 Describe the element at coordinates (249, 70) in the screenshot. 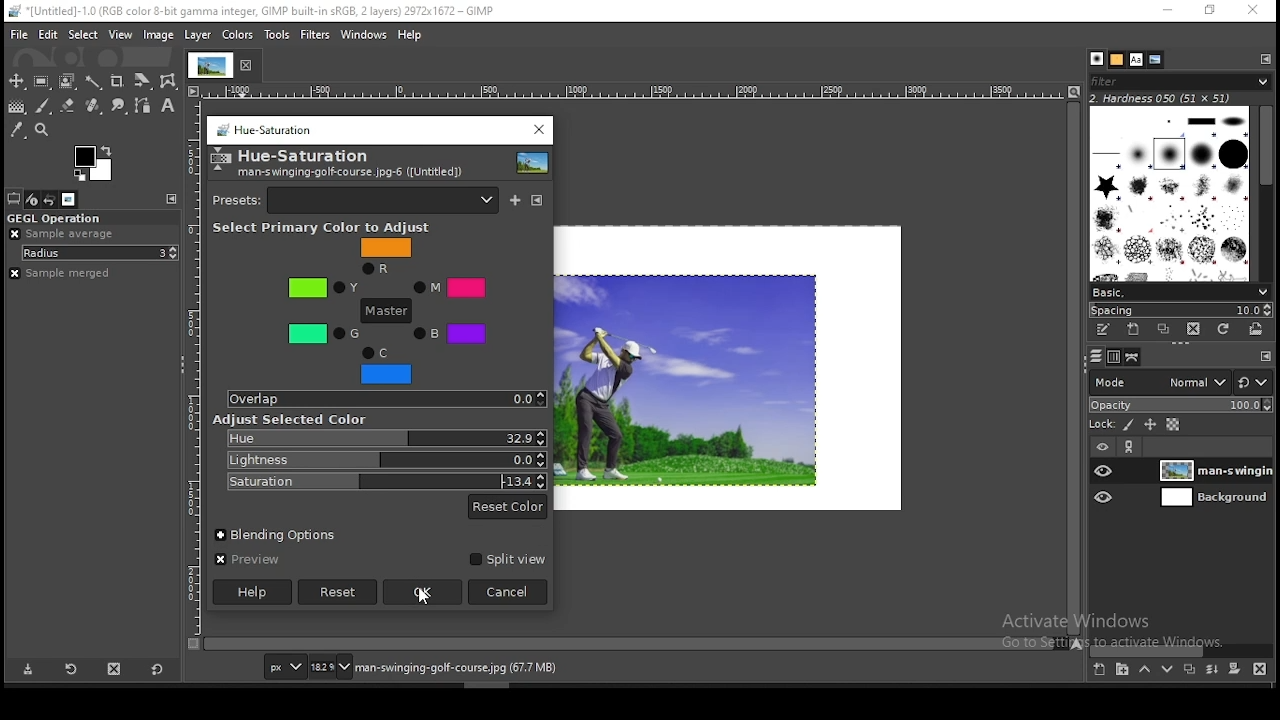

I see `close` at that location.